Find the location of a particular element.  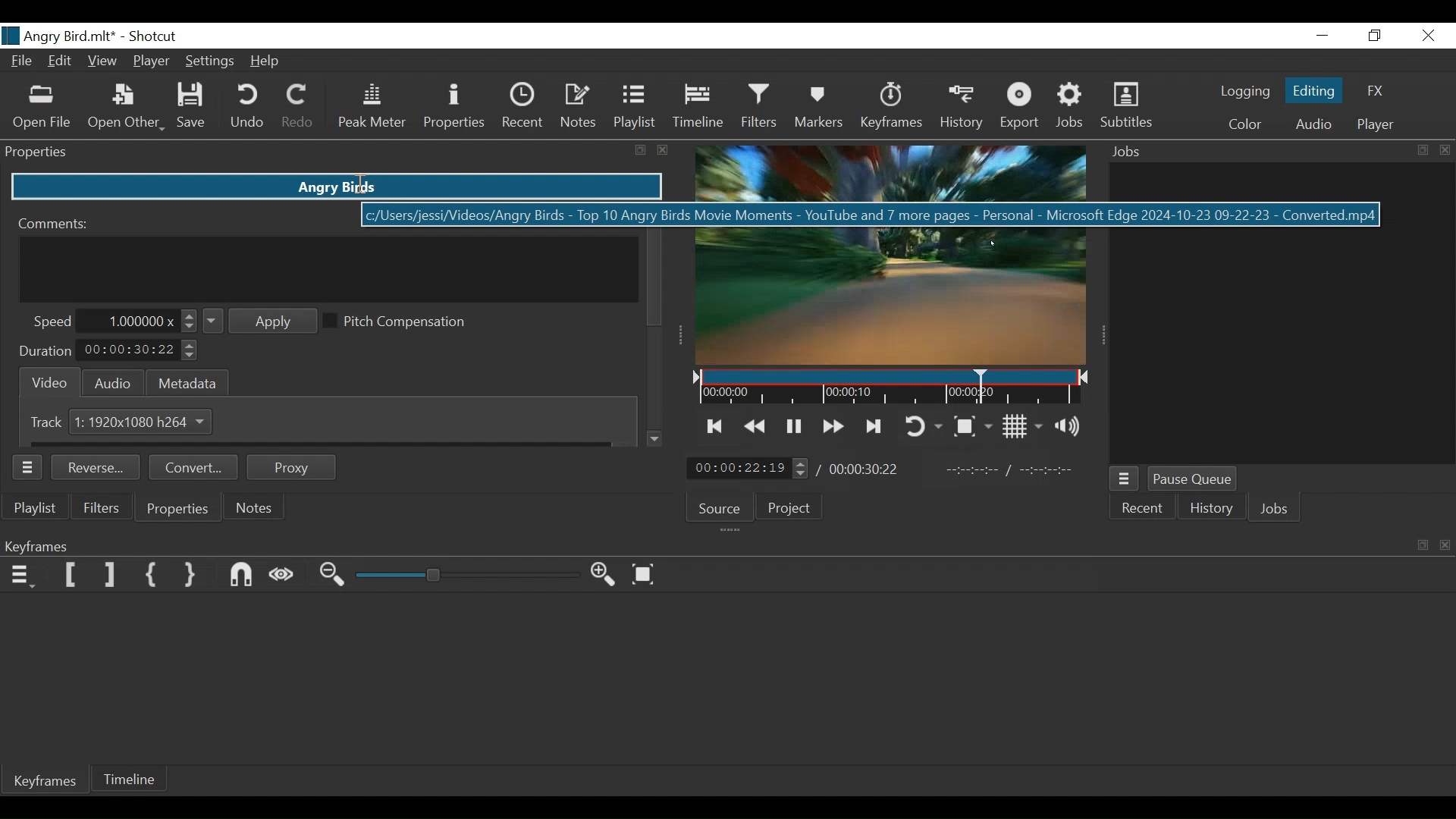

Track is located at coordinates (49, 422).